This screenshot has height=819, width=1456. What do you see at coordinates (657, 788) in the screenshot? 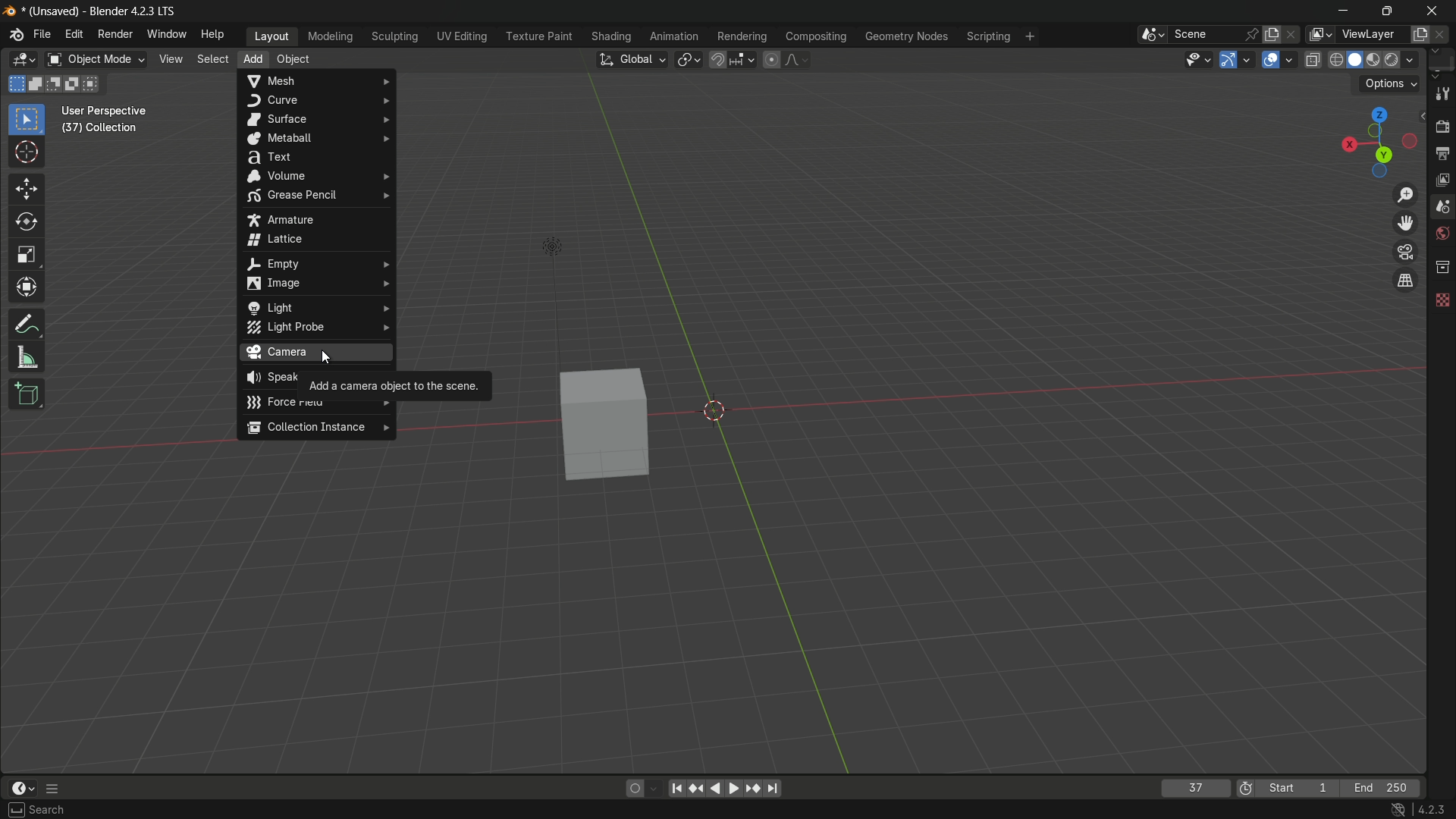
I see `auto keyframing` at bounding box center [657, 788].